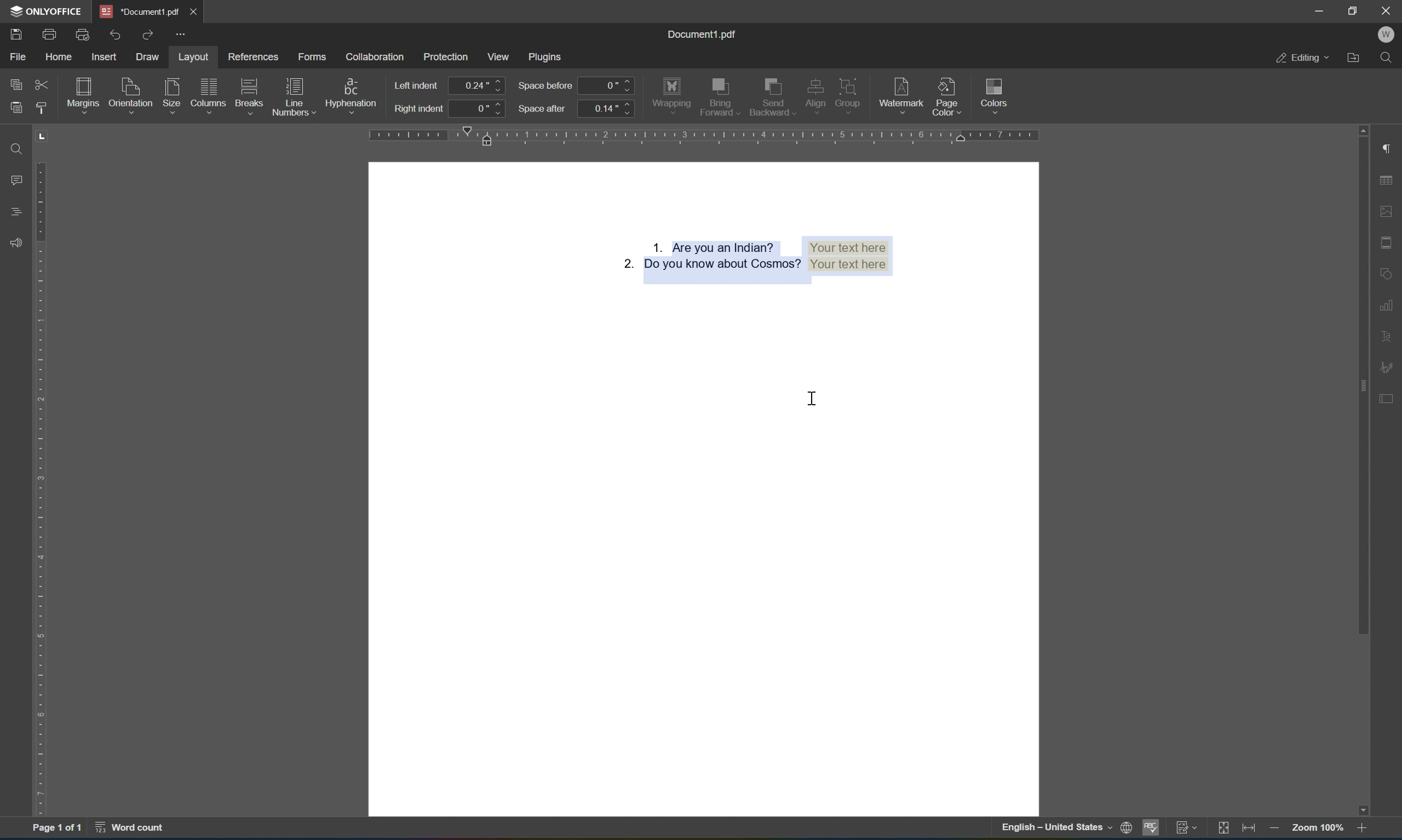  I want to click on paragraph settings, so click(1390, 147).